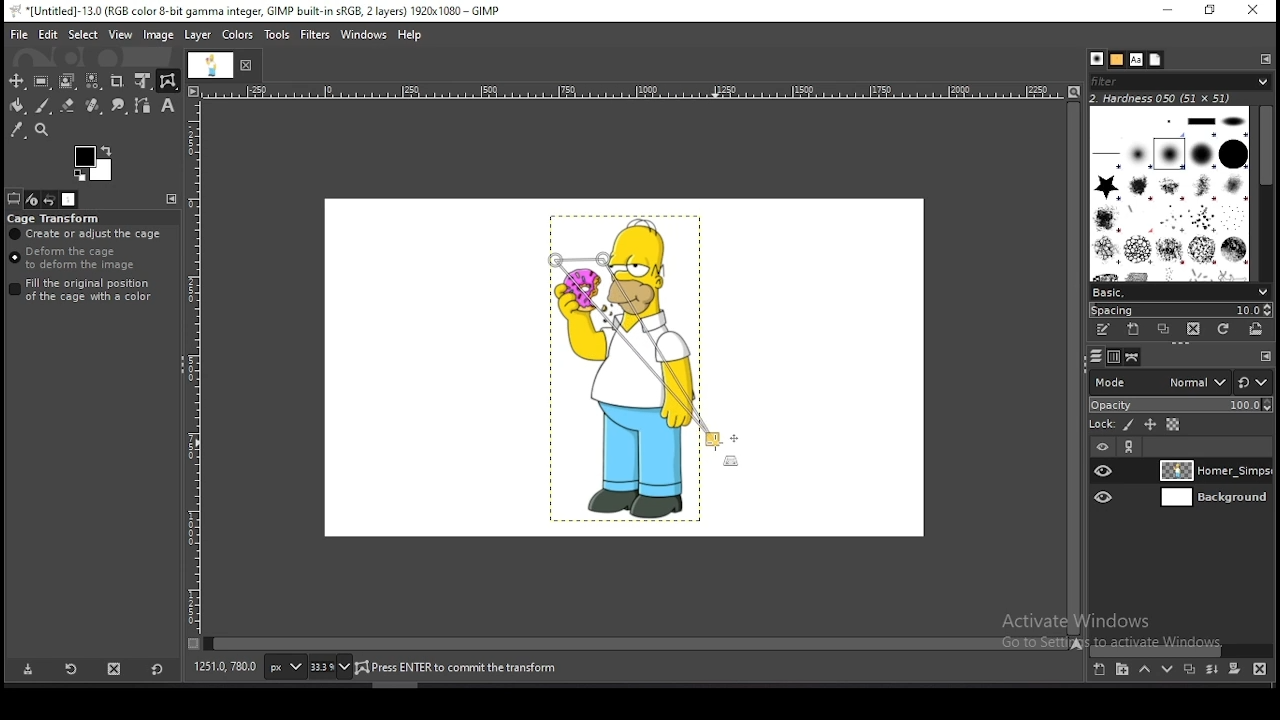 The width and height of the screenshot is (1280, 720). I want to click on configure this tab, so click(1264, 60).